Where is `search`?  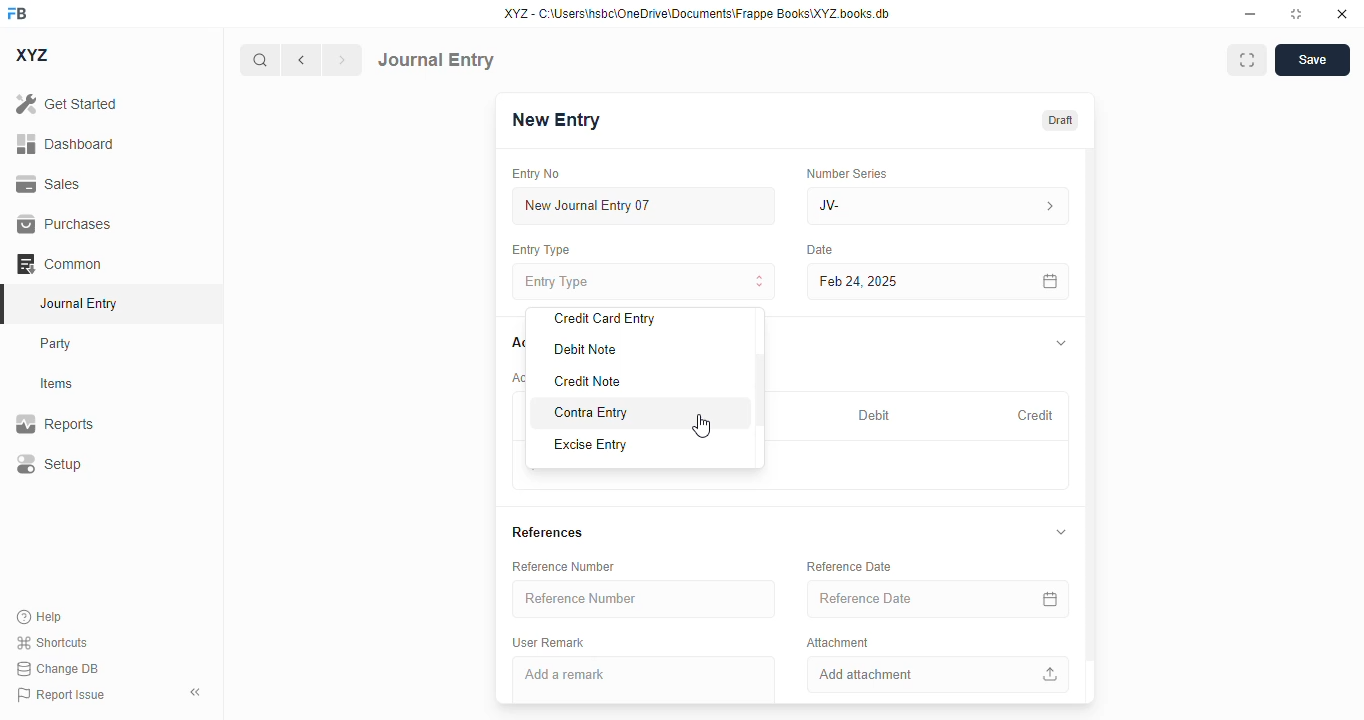
search is located at coordinates (259, 60).